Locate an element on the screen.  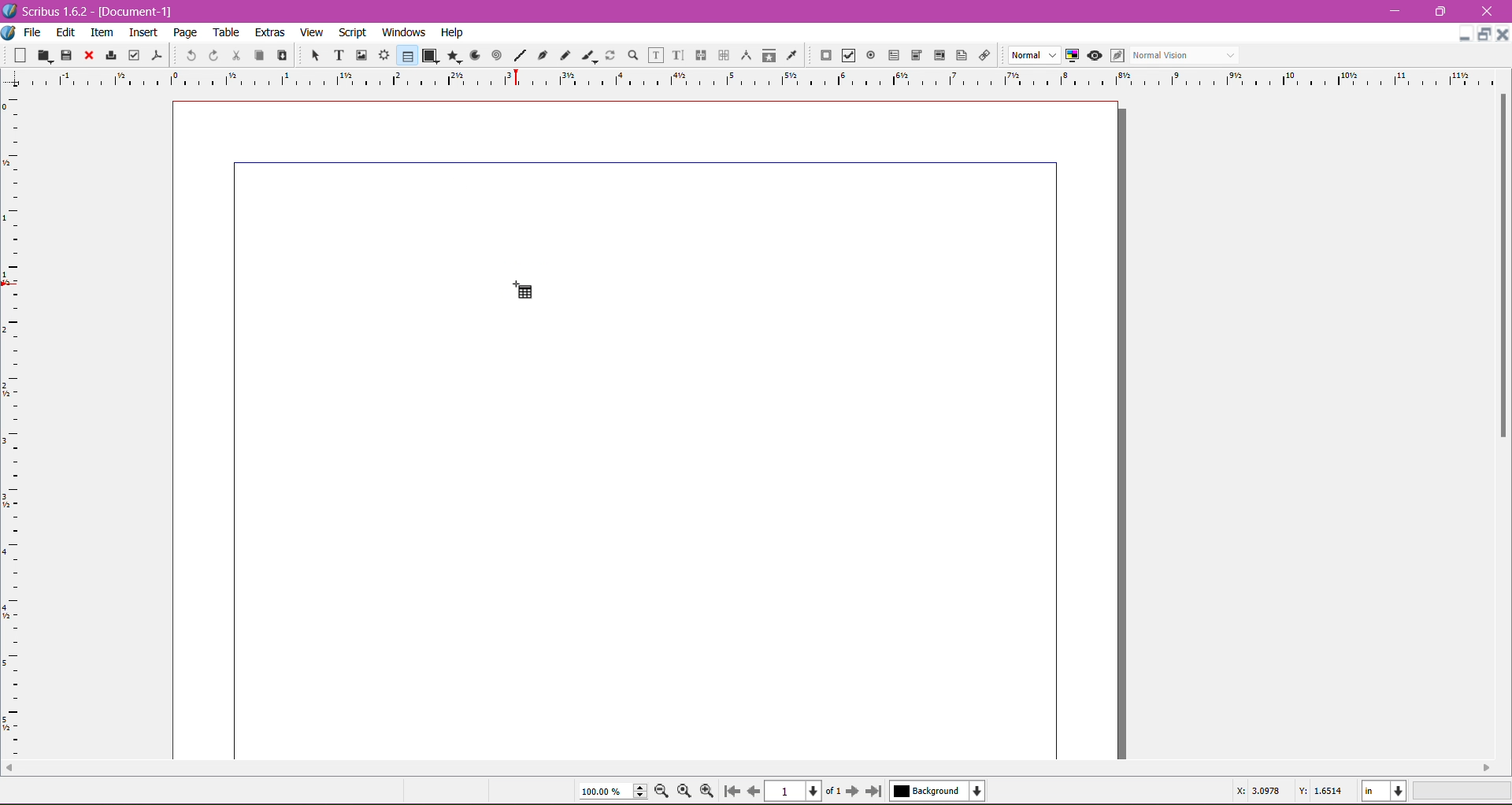
Open is located at coordinates (46, 54).